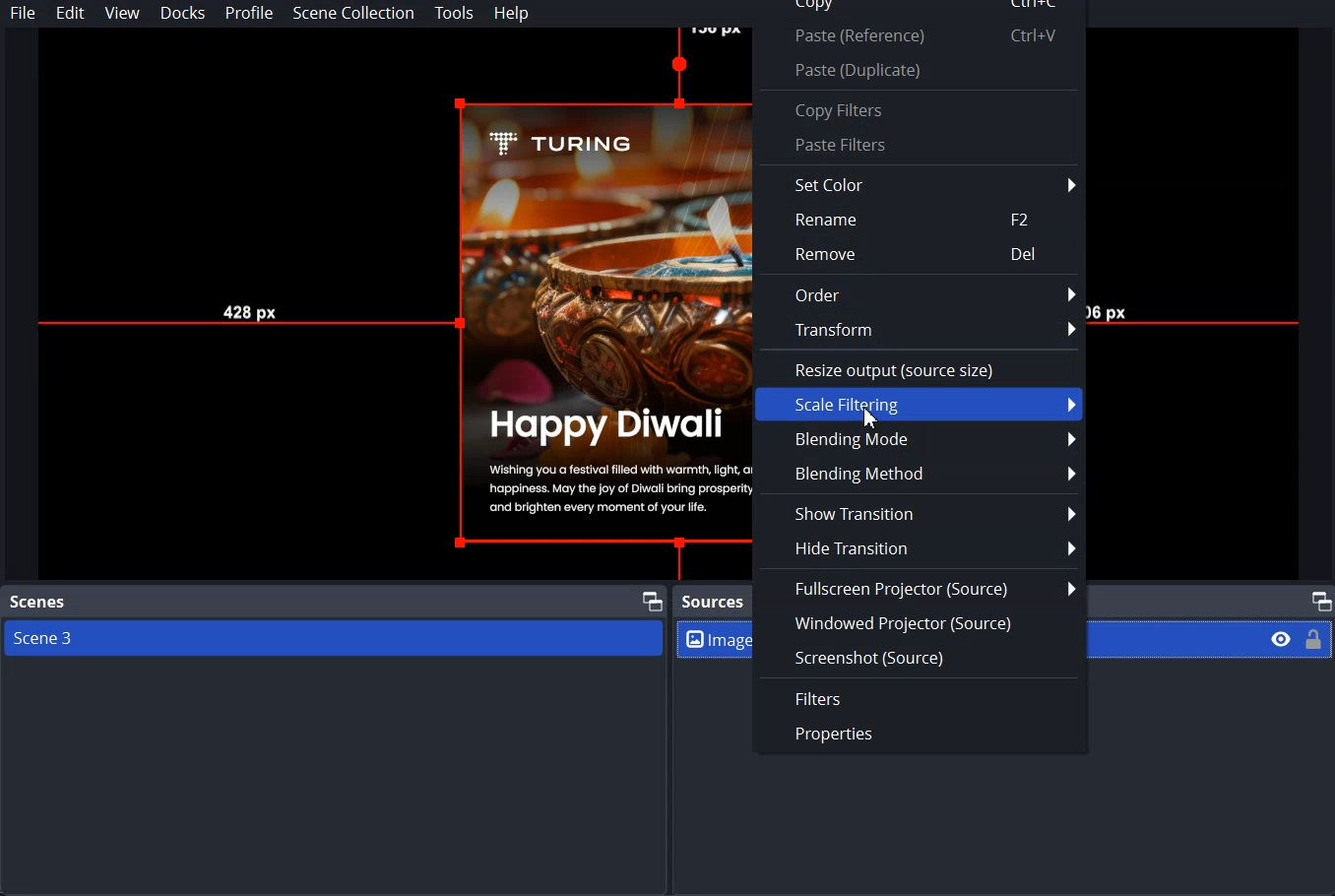 The height and width of the screenshot is (896, 1335). Describe the element at coordinates (184, 13) in the screenshot. I see `Docks` at that location.